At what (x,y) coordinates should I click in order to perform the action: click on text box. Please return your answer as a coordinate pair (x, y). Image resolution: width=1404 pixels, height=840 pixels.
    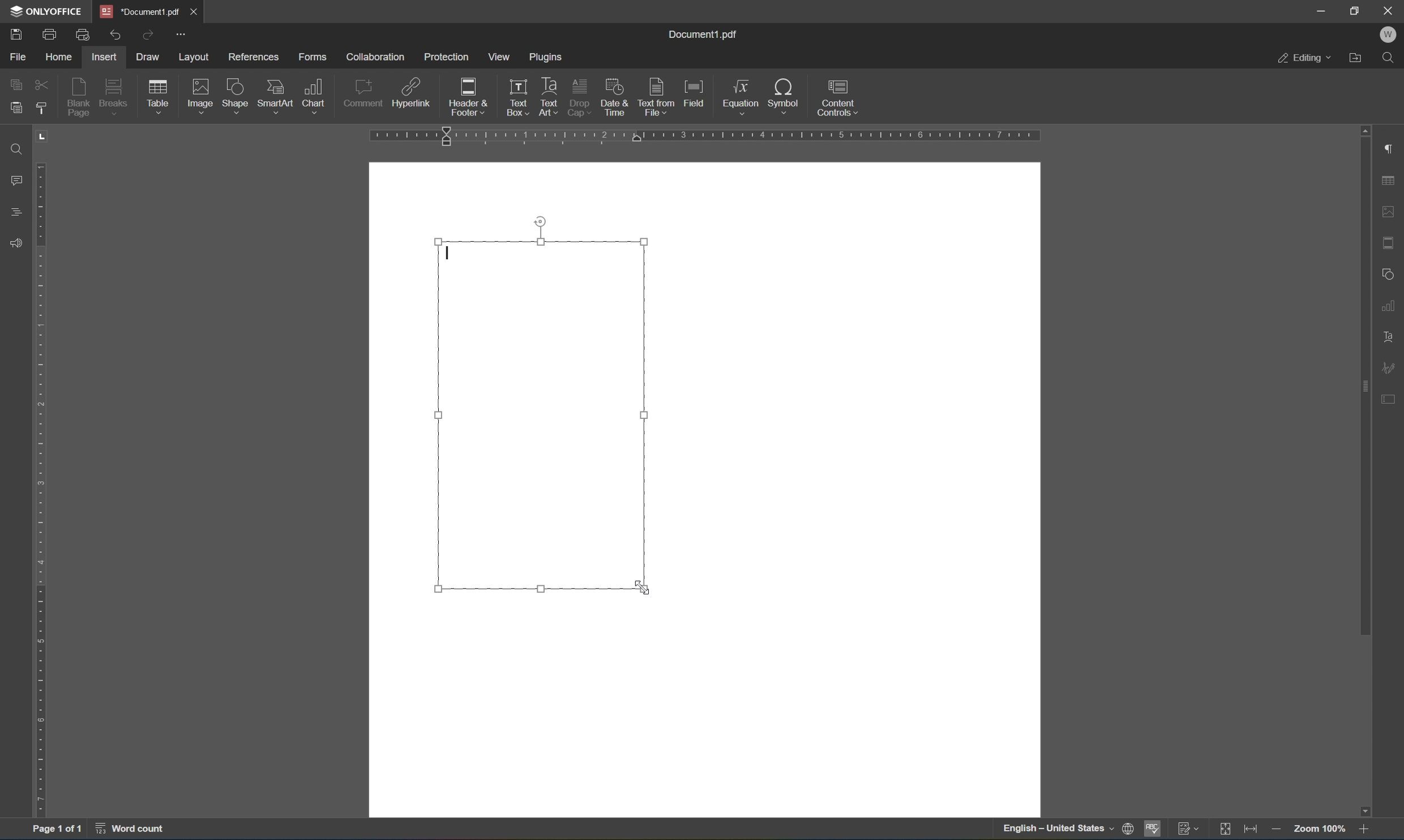
    Looking at the image, I should click on (515, 97).